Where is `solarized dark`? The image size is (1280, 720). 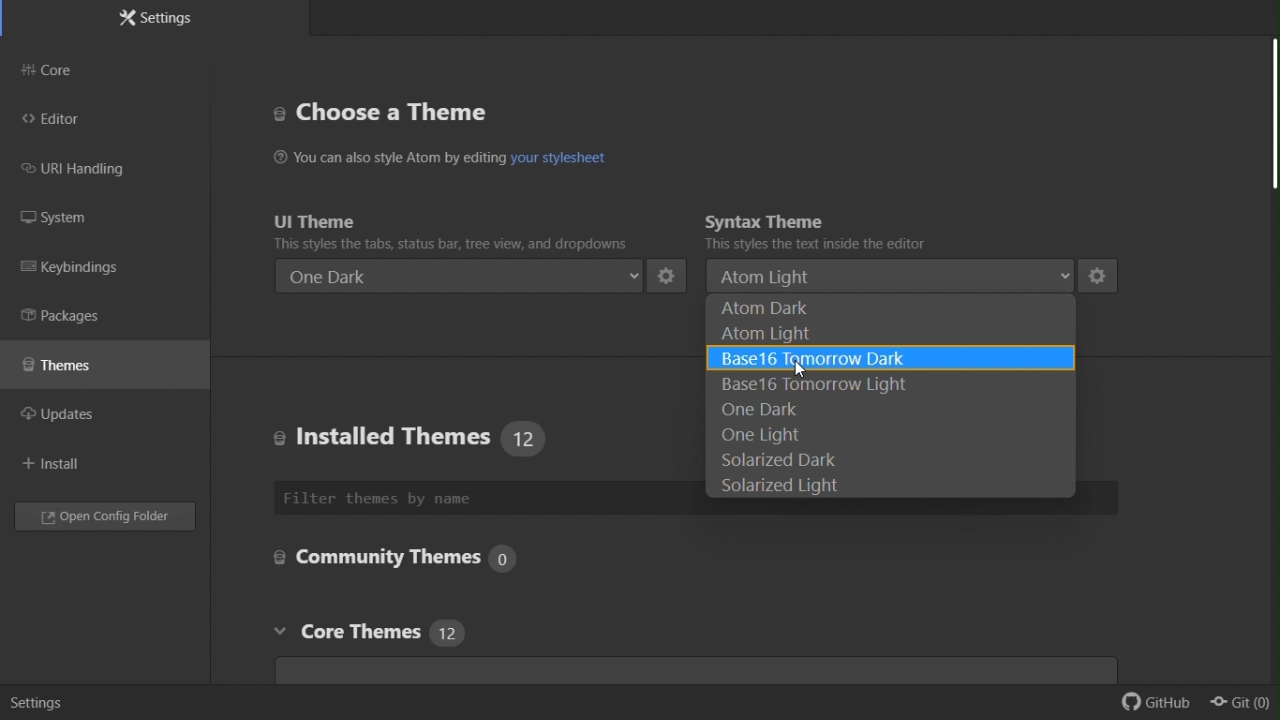
solarized dark is located at coordinates (891, 460).